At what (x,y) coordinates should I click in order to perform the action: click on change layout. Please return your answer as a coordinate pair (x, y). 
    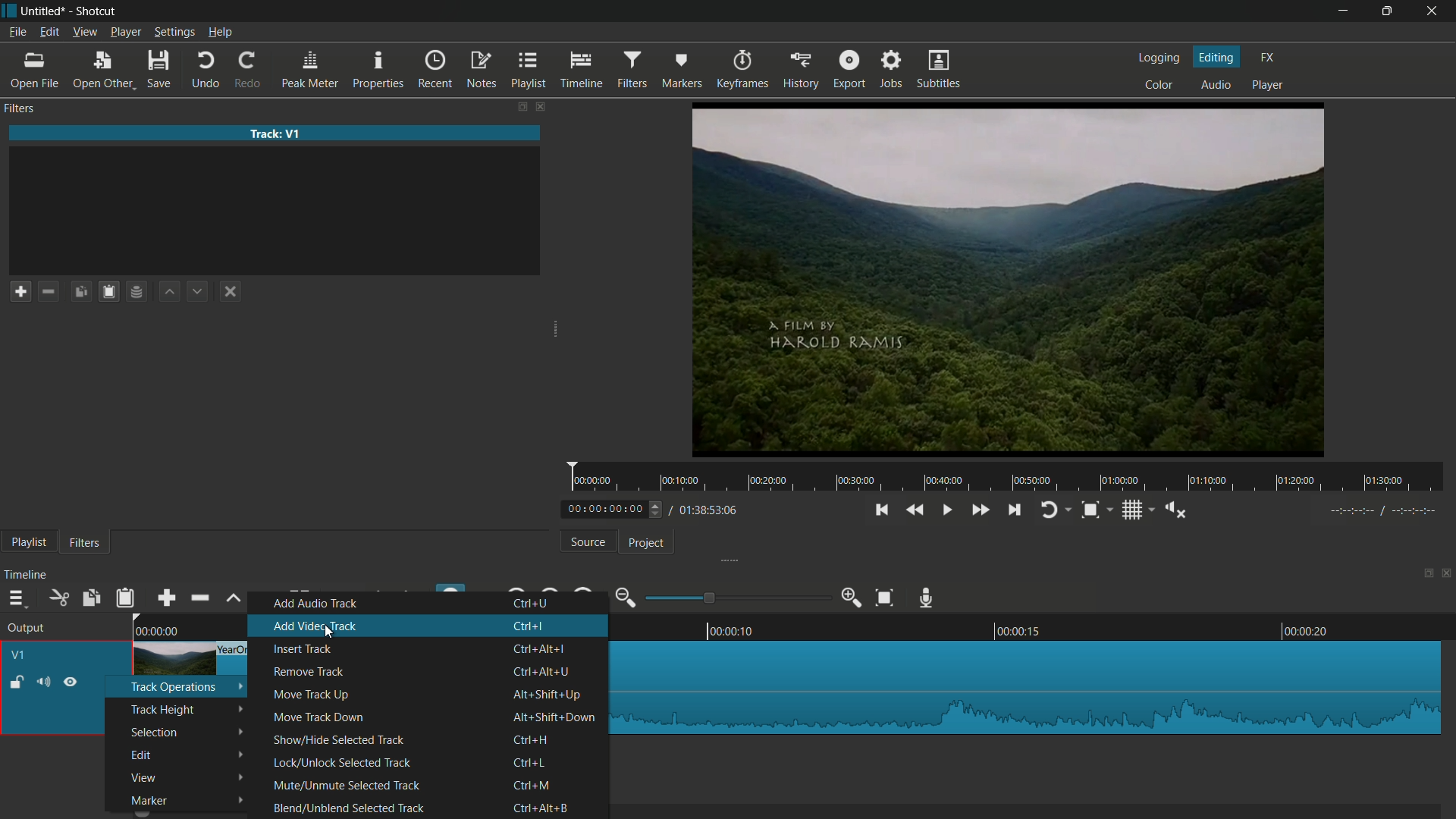
    Looking at the image, I should click on (1423, 576).